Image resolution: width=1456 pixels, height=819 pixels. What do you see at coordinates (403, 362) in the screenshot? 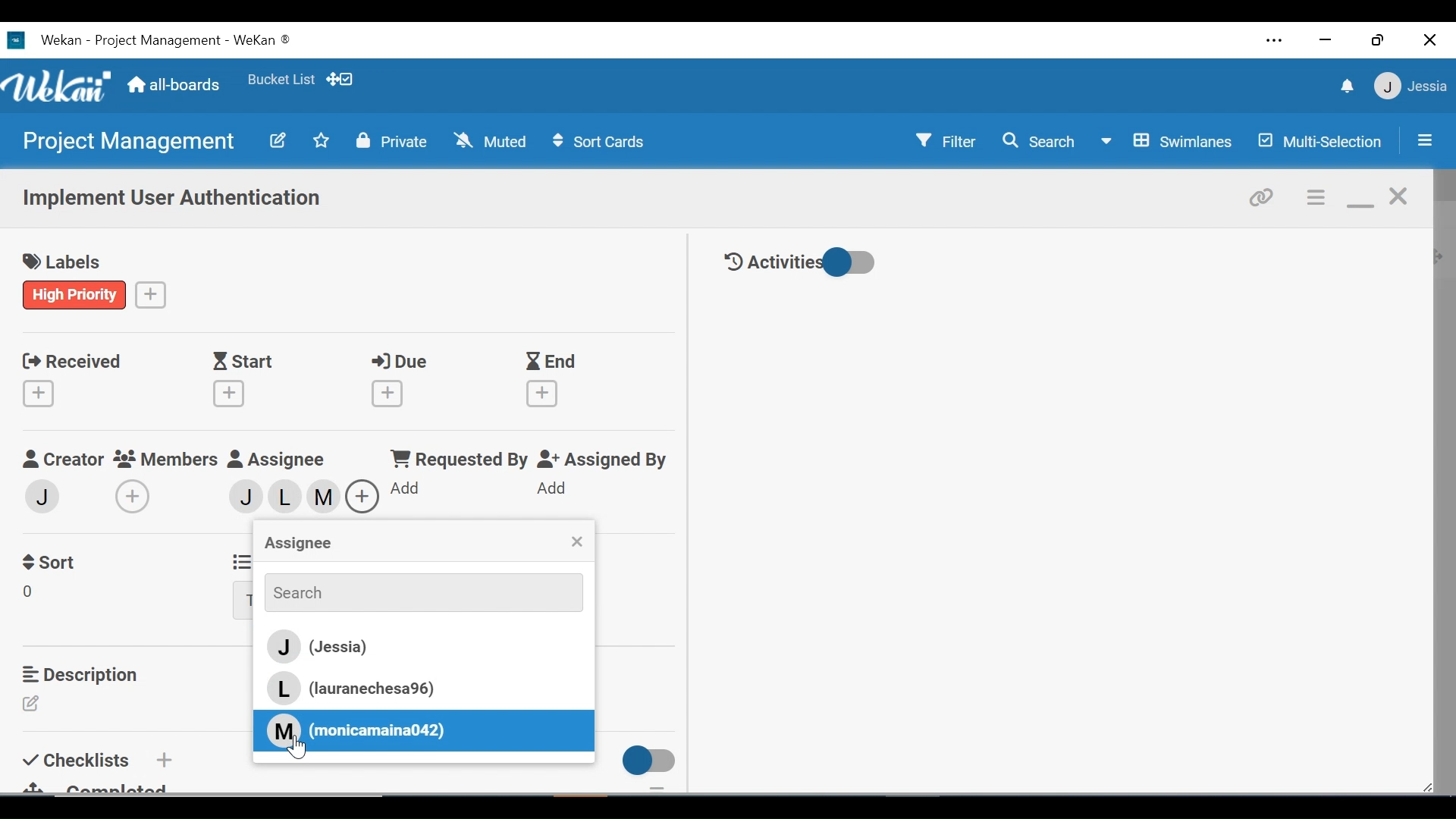
I see `Due Date` at bounding box center [403, 362].